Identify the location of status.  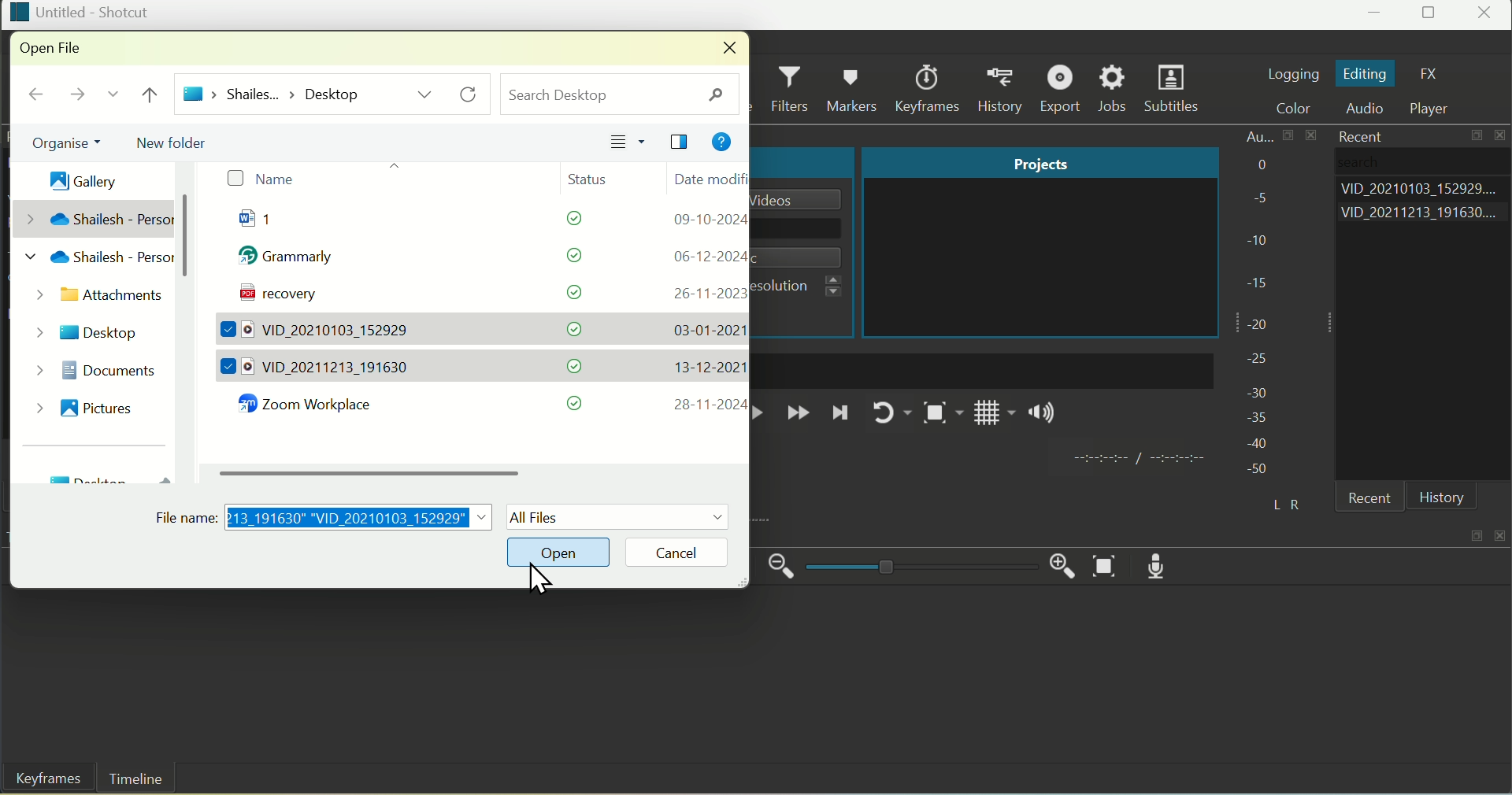
(565, 256).